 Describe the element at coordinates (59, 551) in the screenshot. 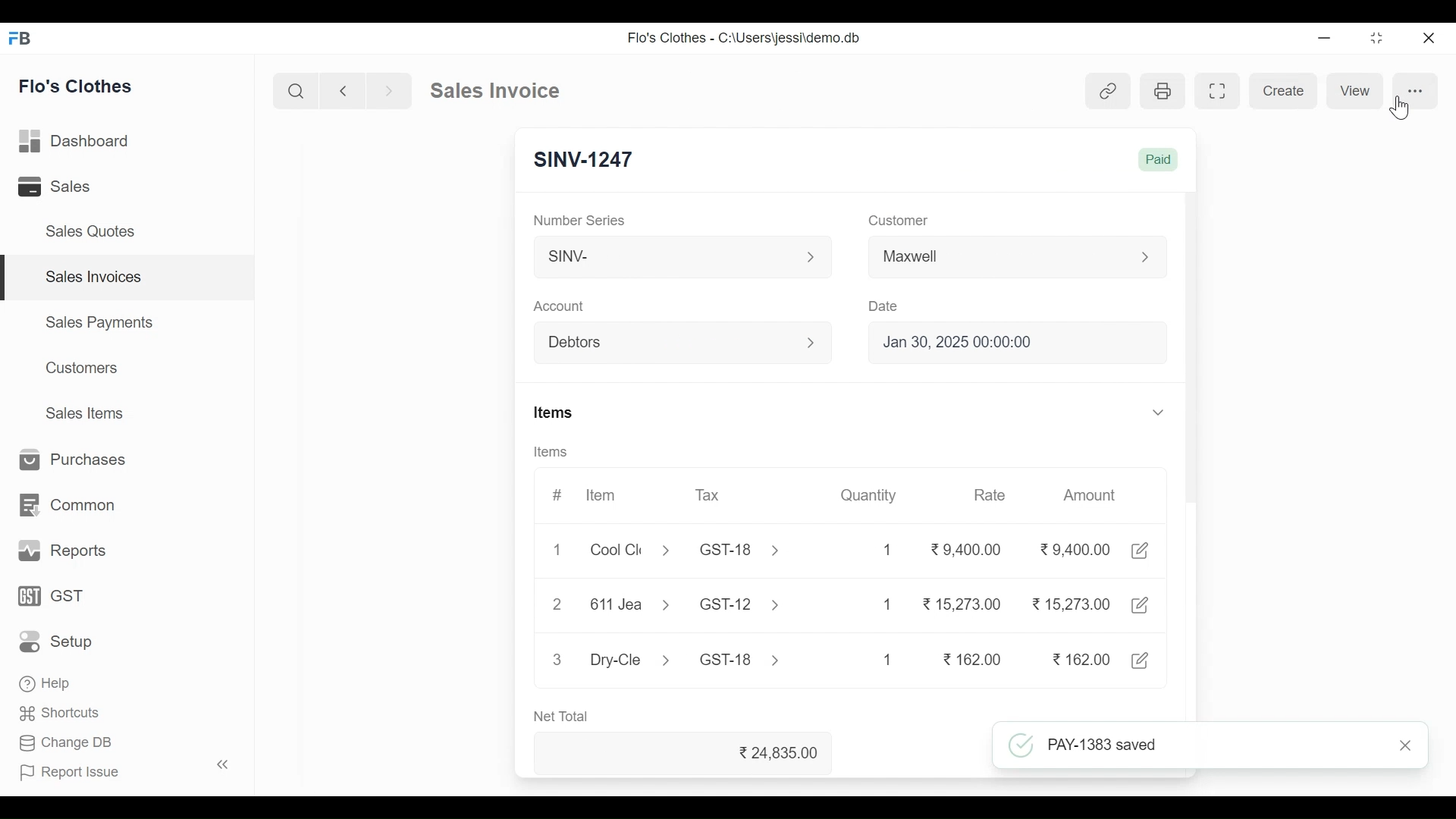

I see `Reports` at that location.